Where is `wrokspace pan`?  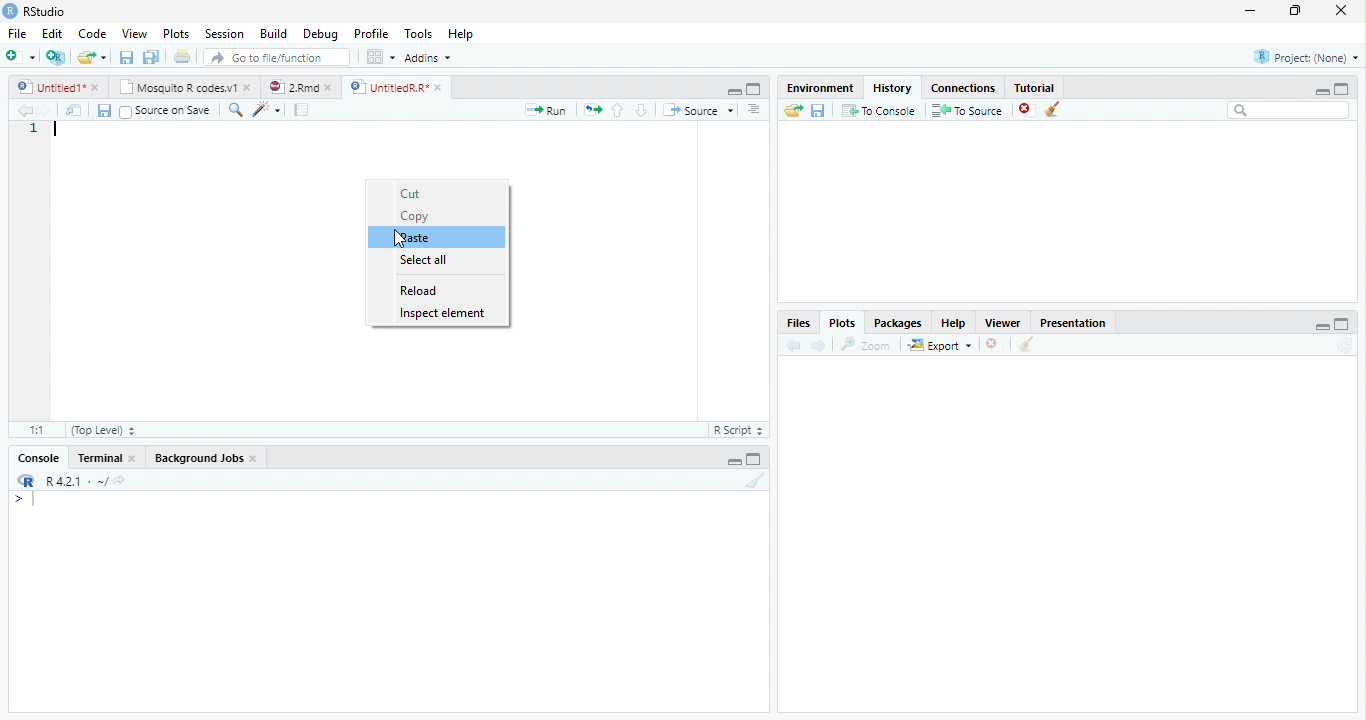 wrokspace pan is located at coordinates (379, 57).